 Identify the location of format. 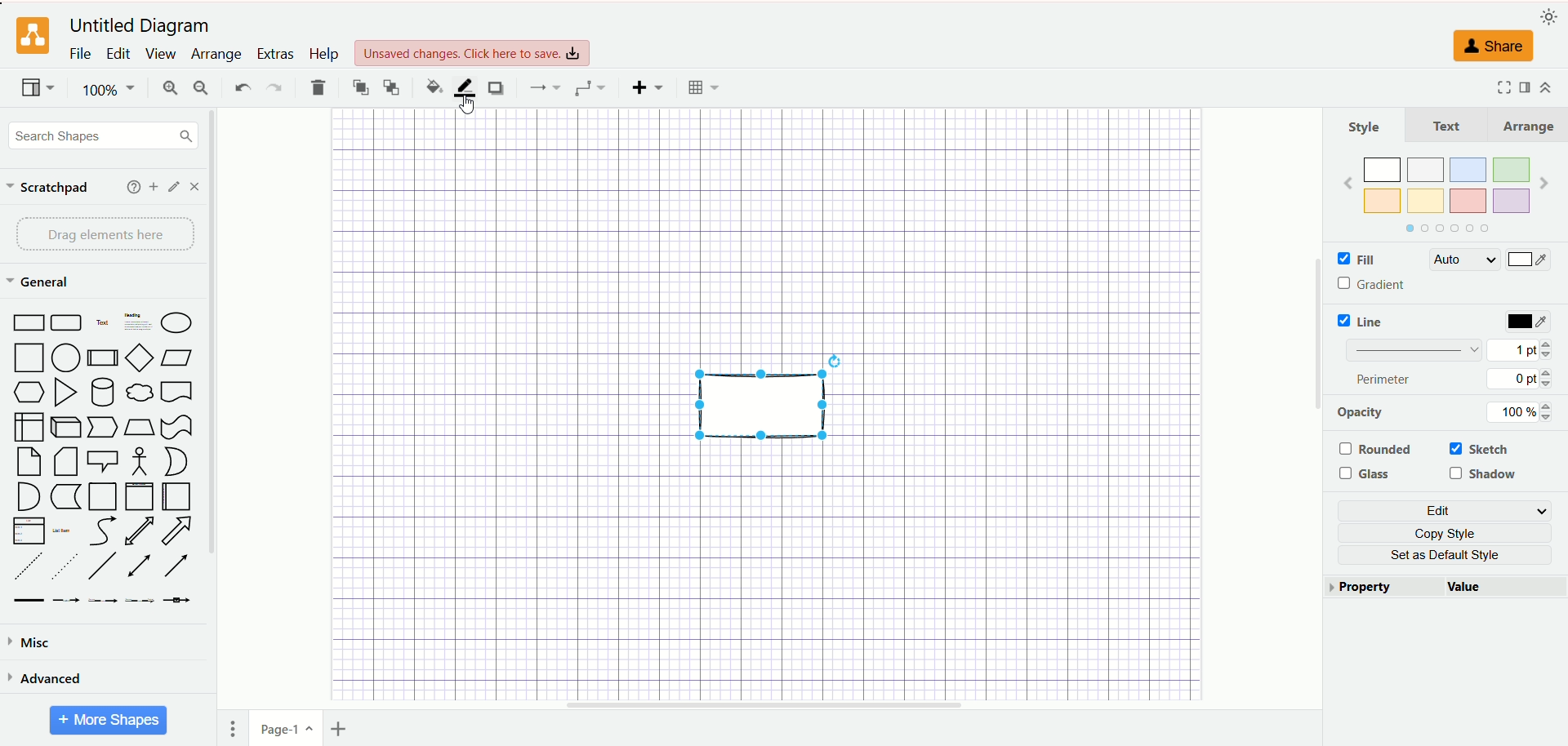
(1526, 90).